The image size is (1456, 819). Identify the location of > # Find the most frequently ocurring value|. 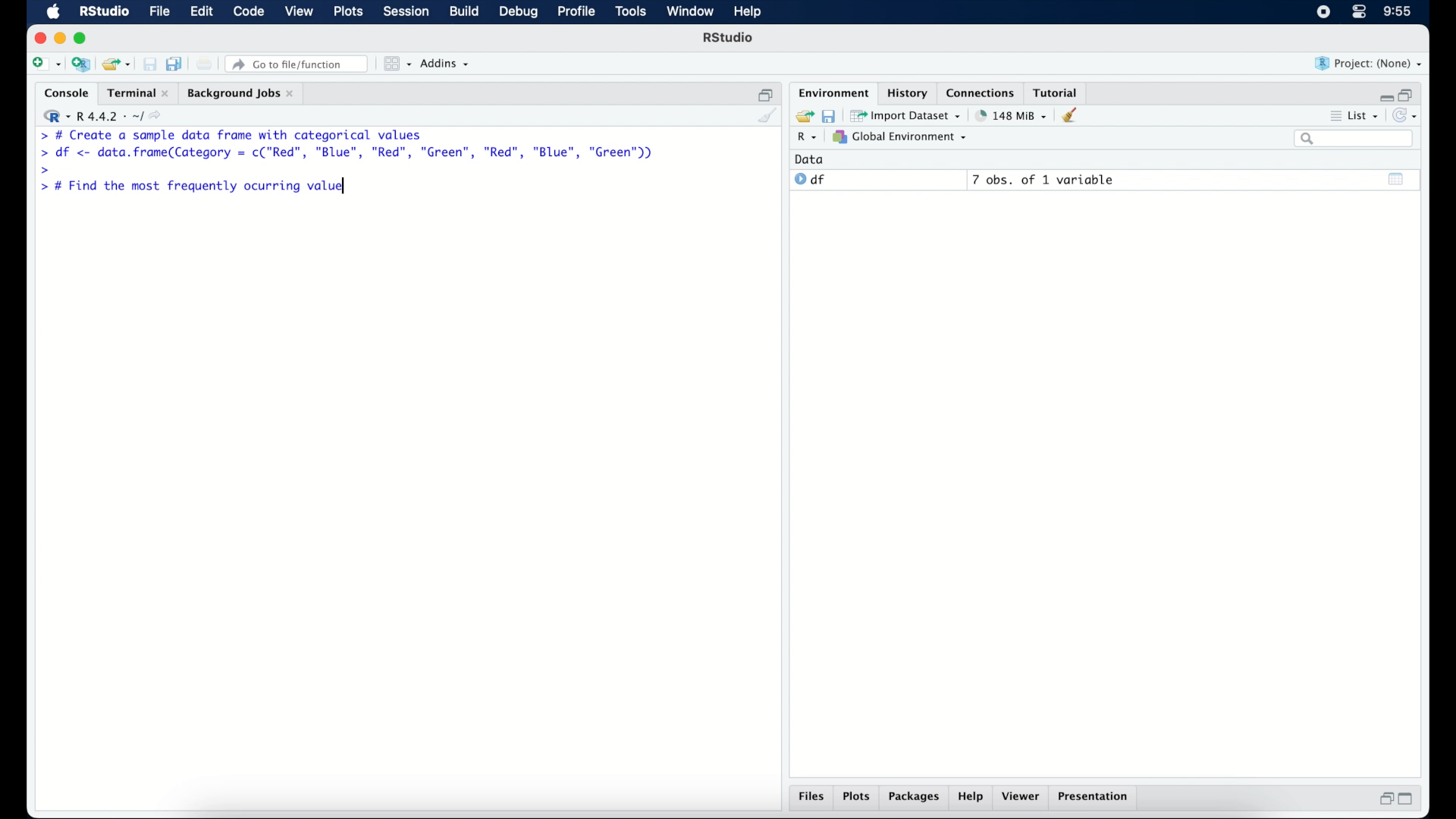
(202, 187).